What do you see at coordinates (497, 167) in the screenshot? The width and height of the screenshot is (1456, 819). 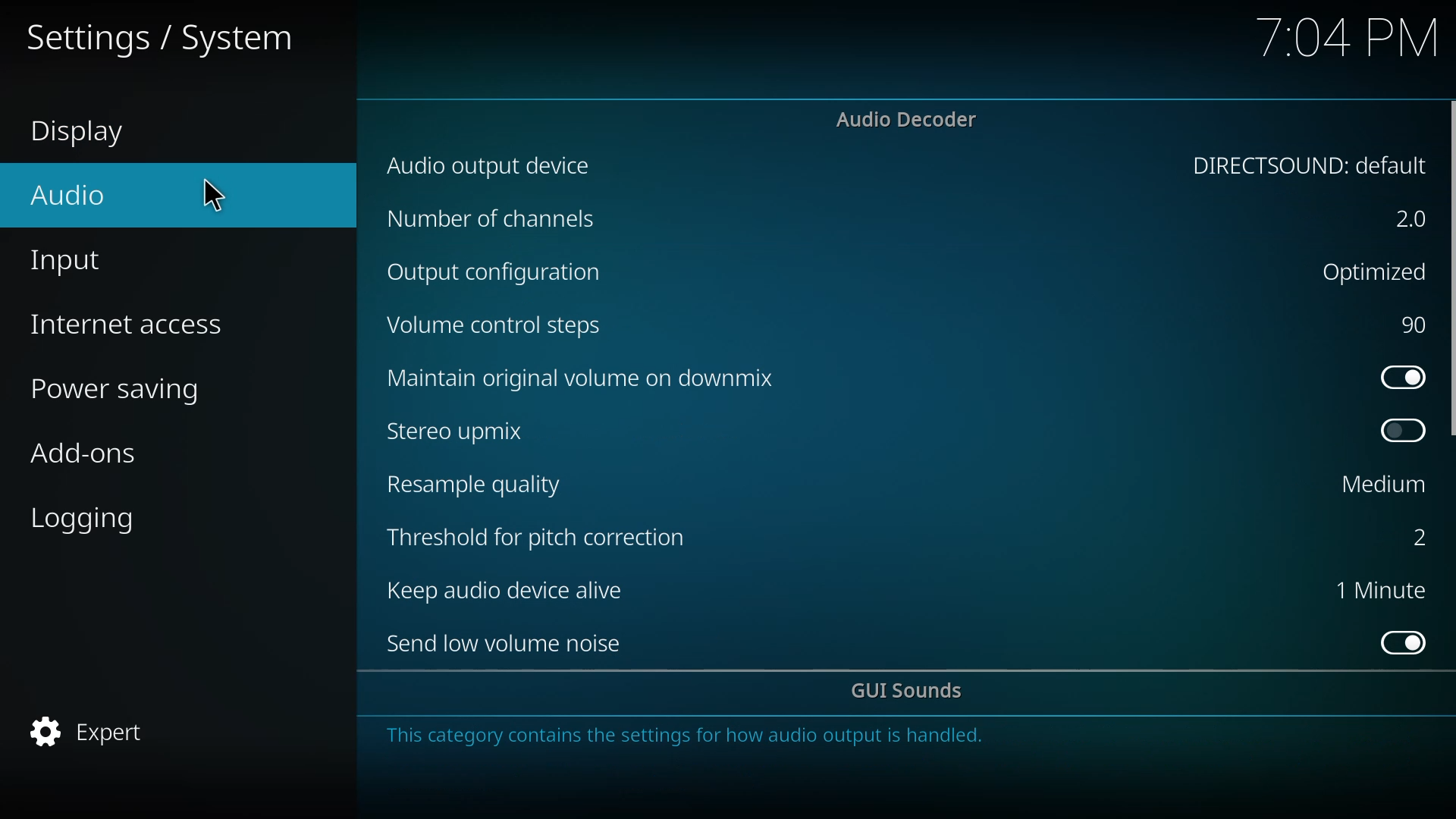 I see `audio output device` at bounding box center [497, 167].